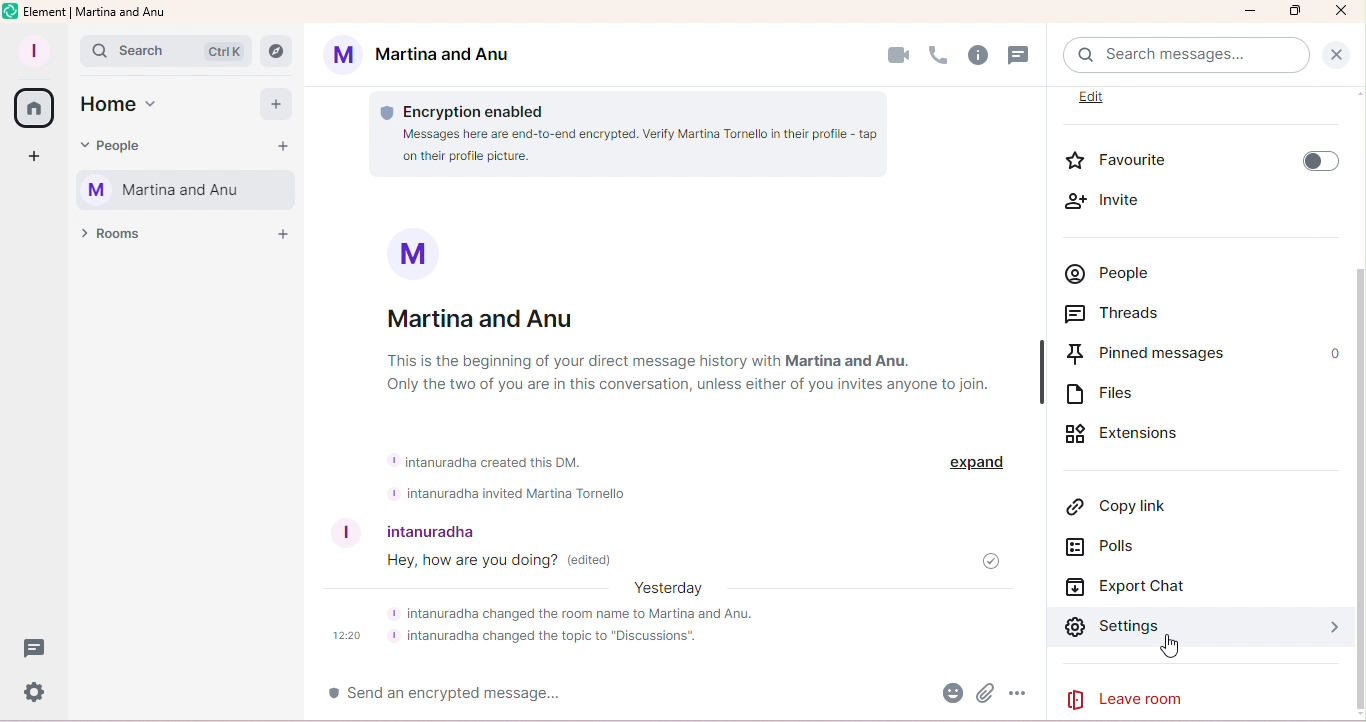 The width and height of the screenshot is (1366, 722). What do you see at coordinates (1141, 699) in the screenshot?
I see `Leave room` at bounding box center [1141, 699].